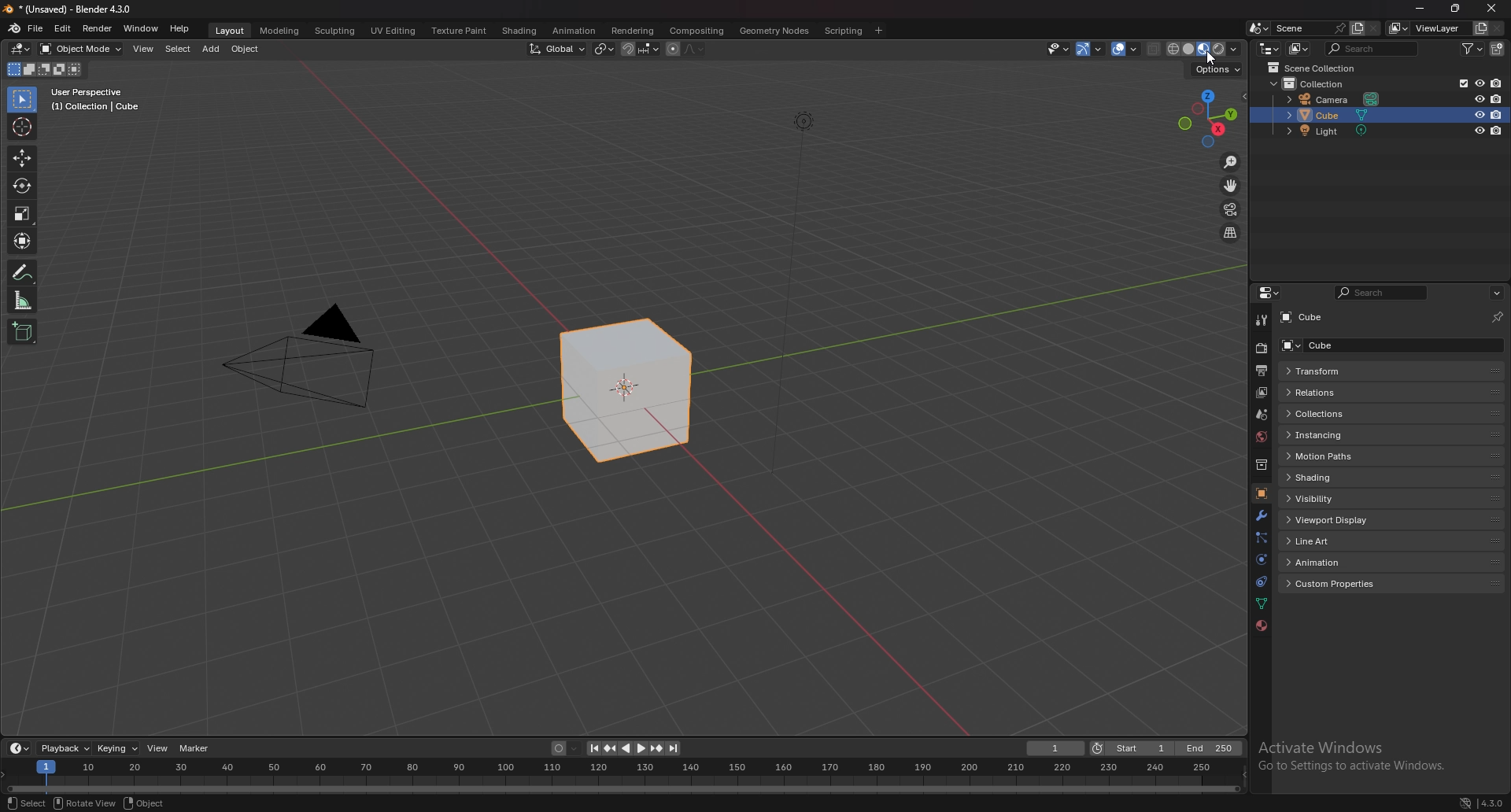  What do you see at coordinates (1458, 83) in the screenshot?
I see `exclude from viewlayer` at bounding box center [1458, 83].